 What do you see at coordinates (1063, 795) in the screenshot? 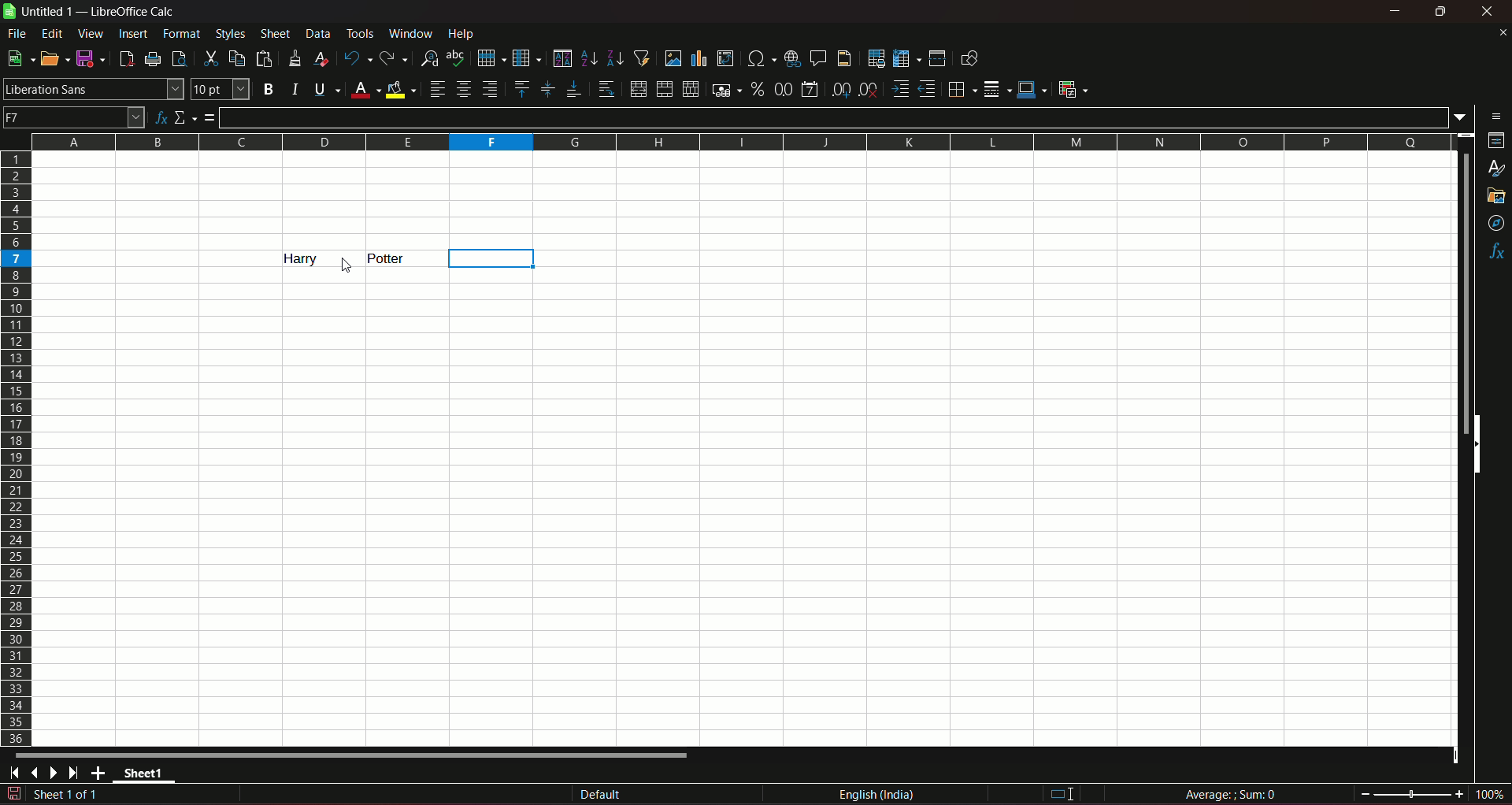
I see `I beam cursor` at bounding box center [1063, 795].